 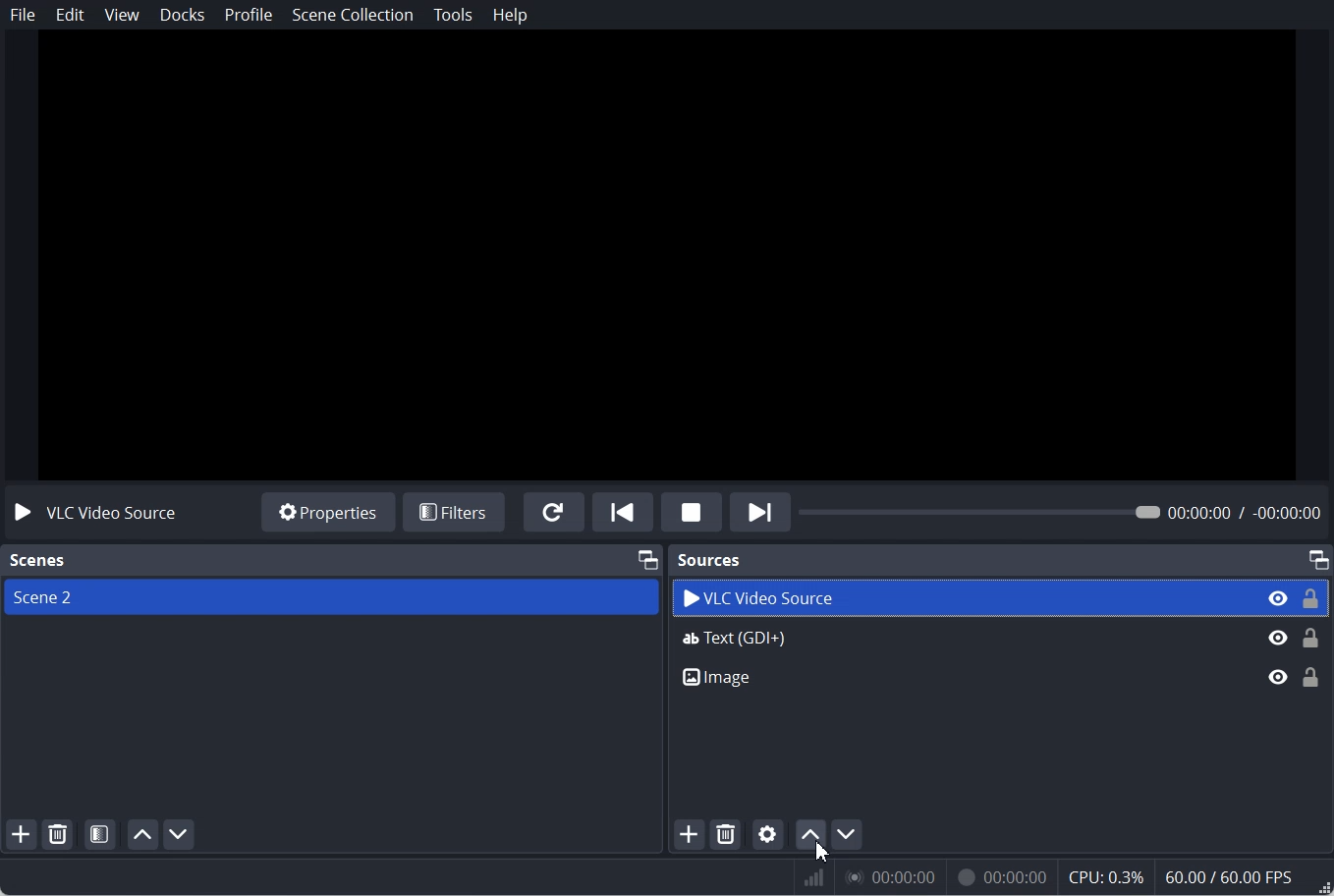 What do you see at coordinates (1318, 558) in the screenshot?
I see `Maximize` at bounding box center [1318, 558].